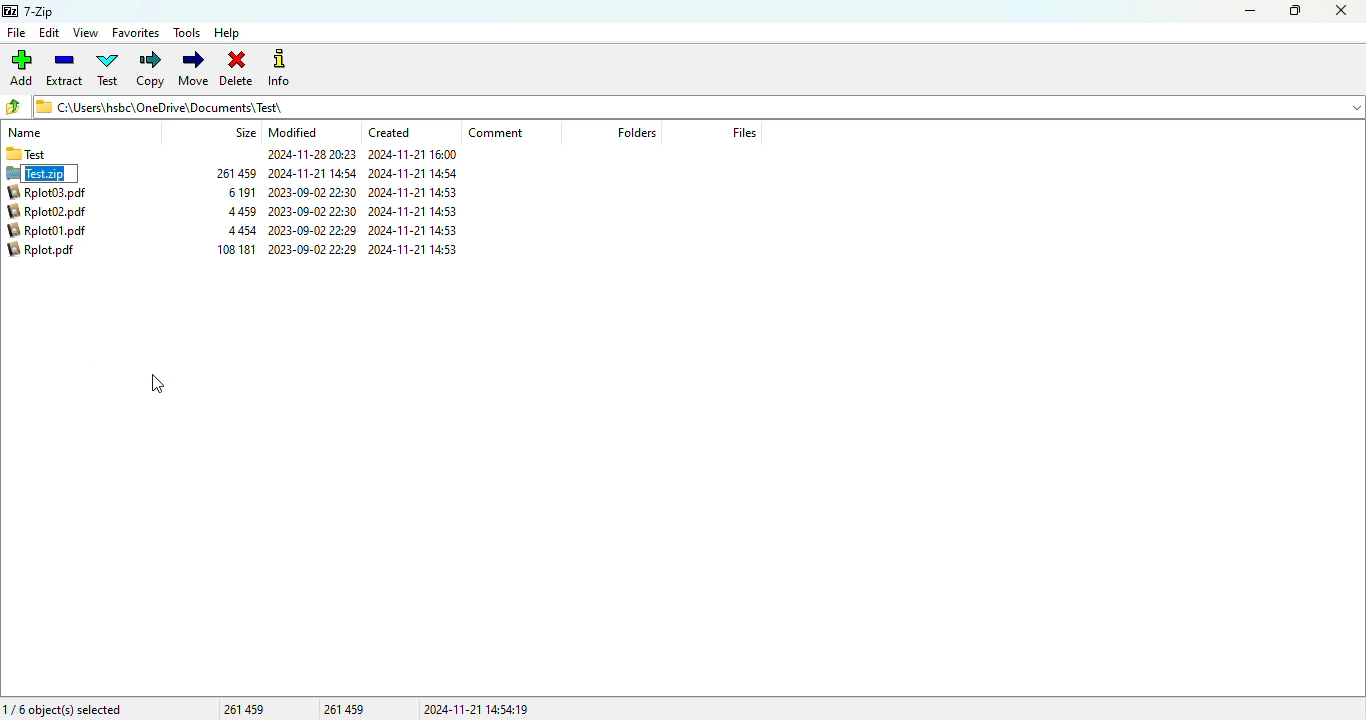 The image size is (1366, 720). I want to click on Rplot.pdf 108181 2023-09-02 22:29 2024-11-21 14:53, so click(52, 252).